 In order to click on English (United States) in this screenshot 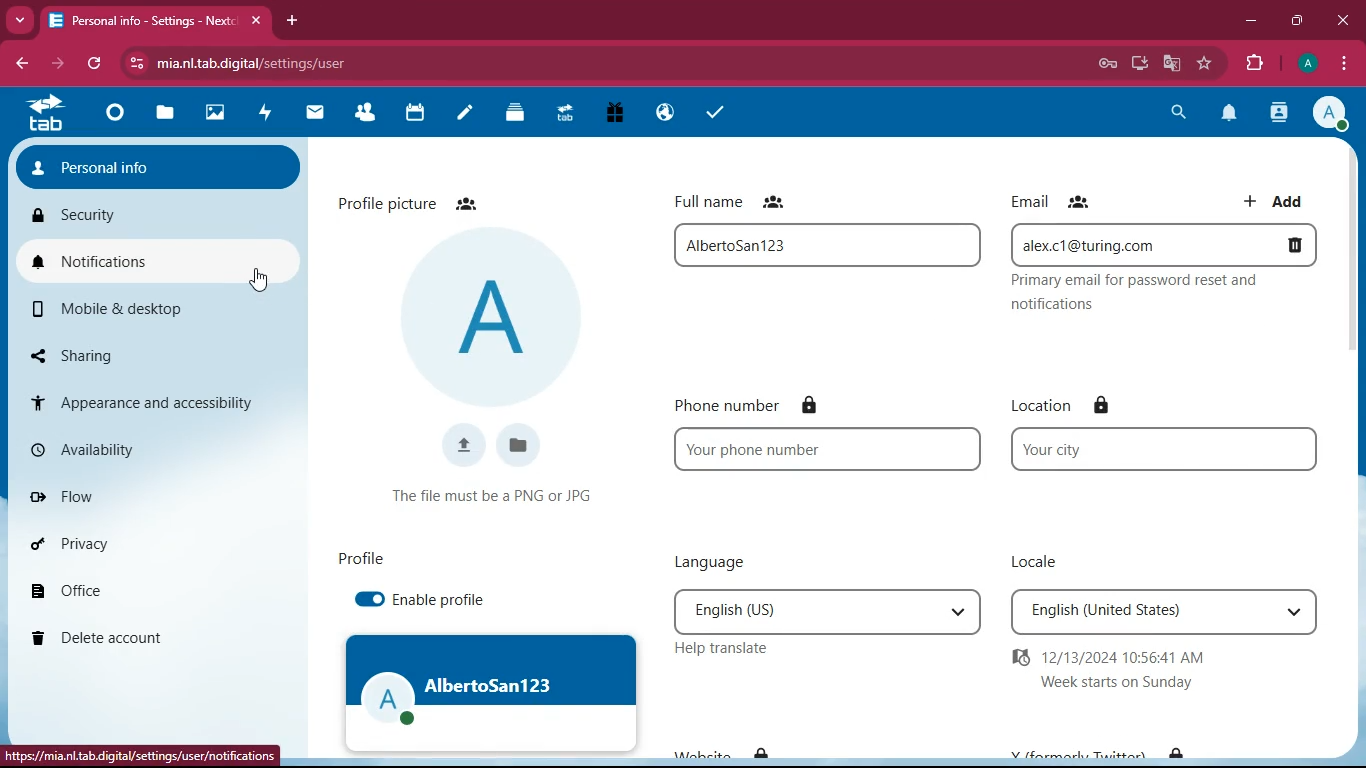, I will do `click(1136, 613)`.